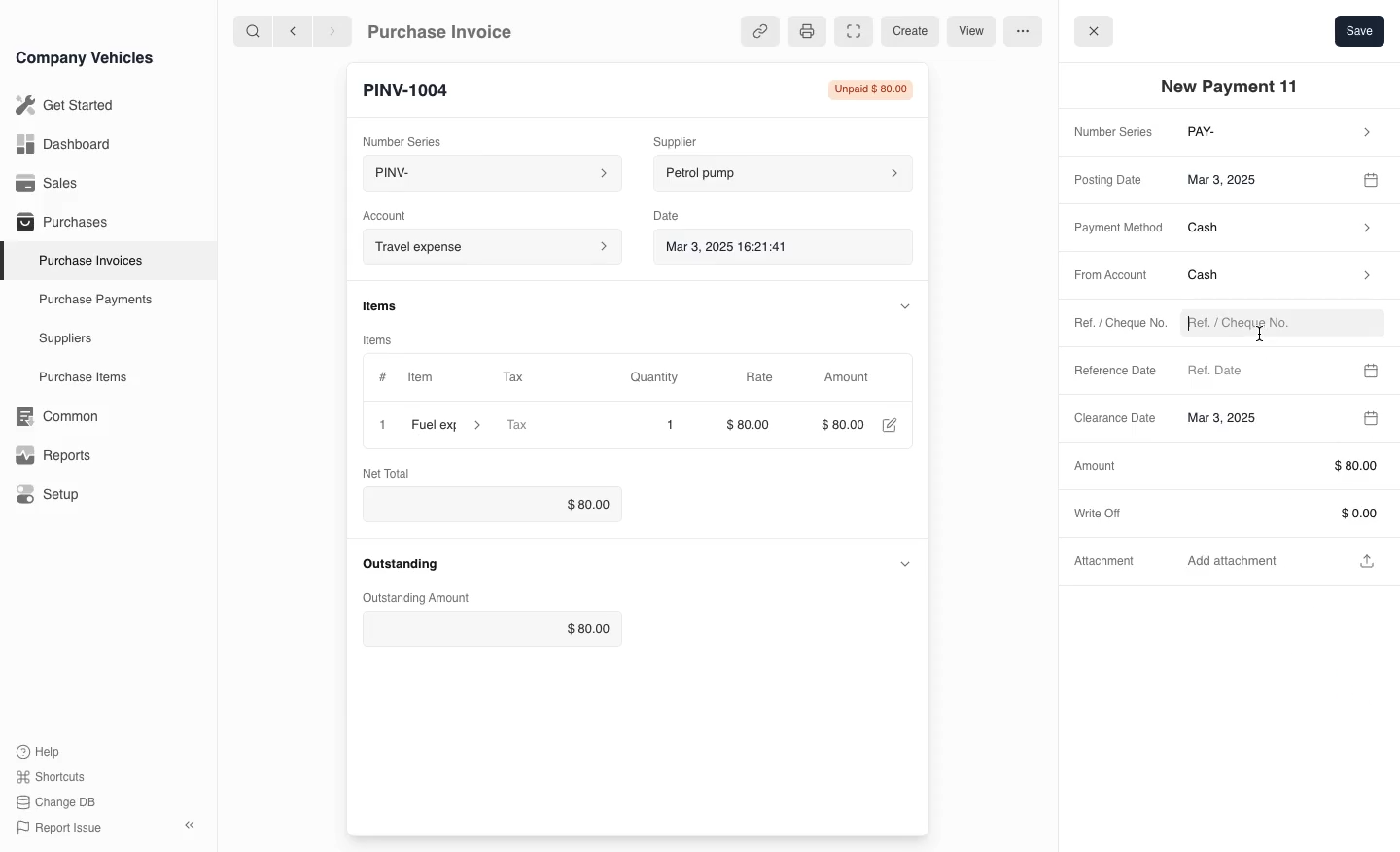  What do you see at coordinates (85, 57) in the screenshot?
I see `Company Vehicles` at bounding box center [85, 57].